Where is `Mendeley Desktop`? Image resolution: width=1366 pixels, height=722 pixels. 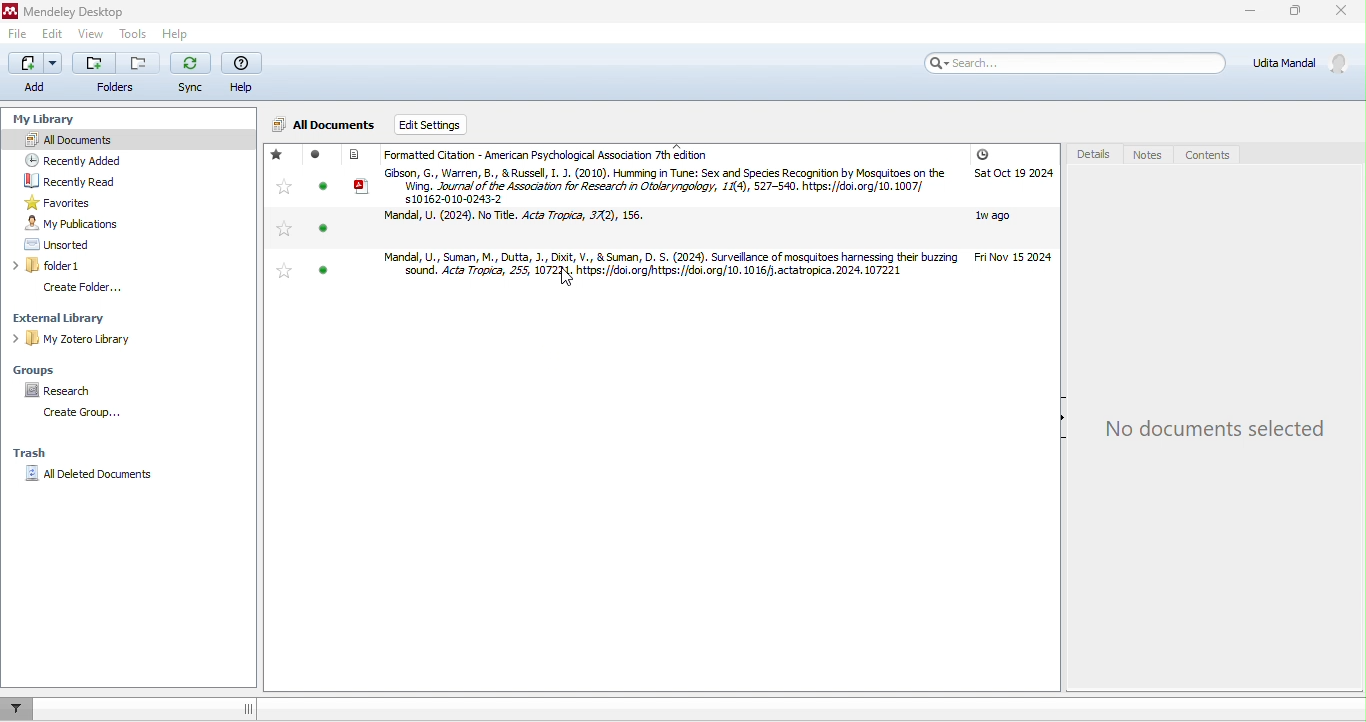
Mendeley Desktop is located at coordinates (68, 12).